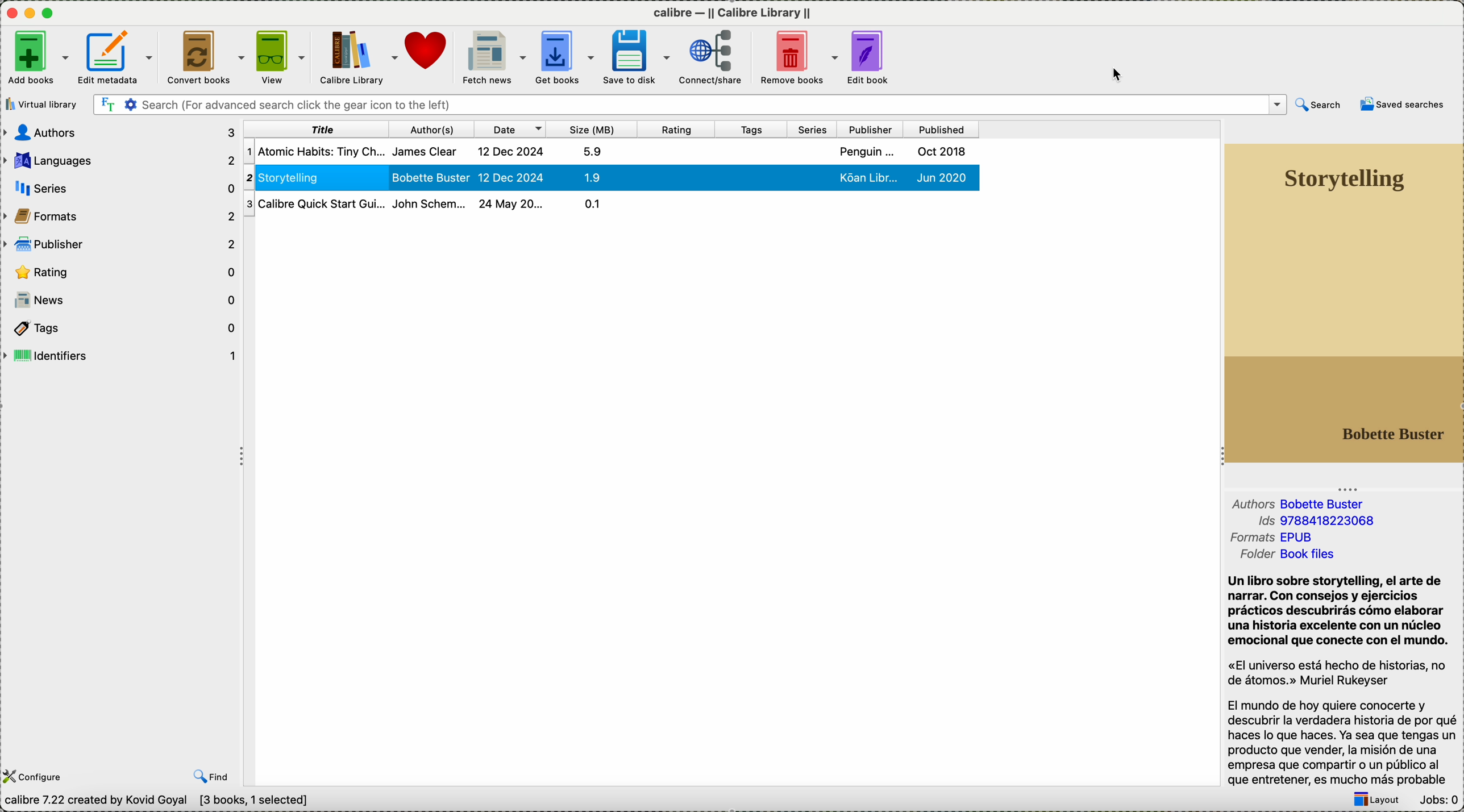 The width and height of the screenshot is (1464, 812). I want to click on save to disk, so click(637, 58).